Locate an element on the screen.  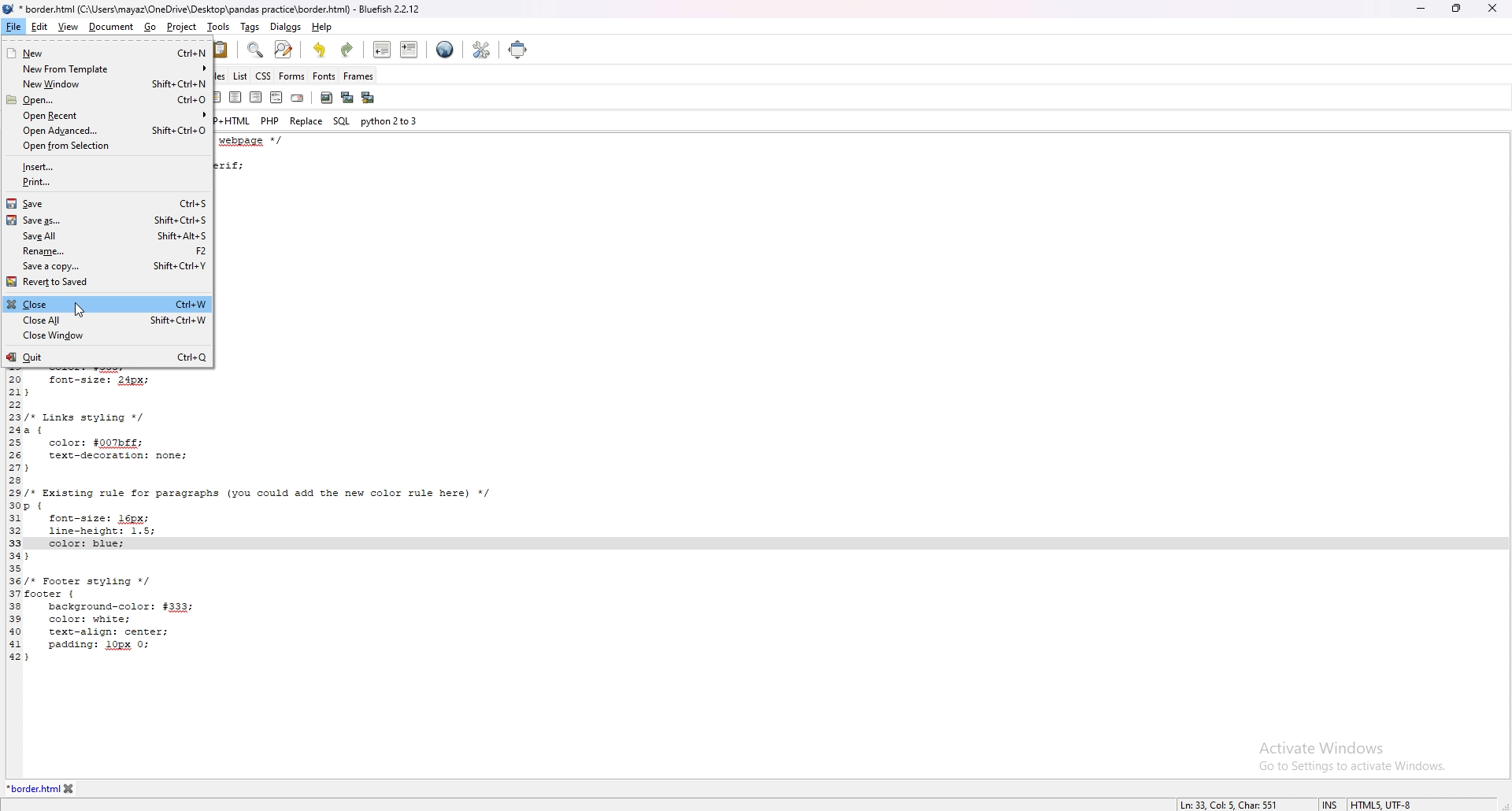
frames is located at coordinates (359, 75).